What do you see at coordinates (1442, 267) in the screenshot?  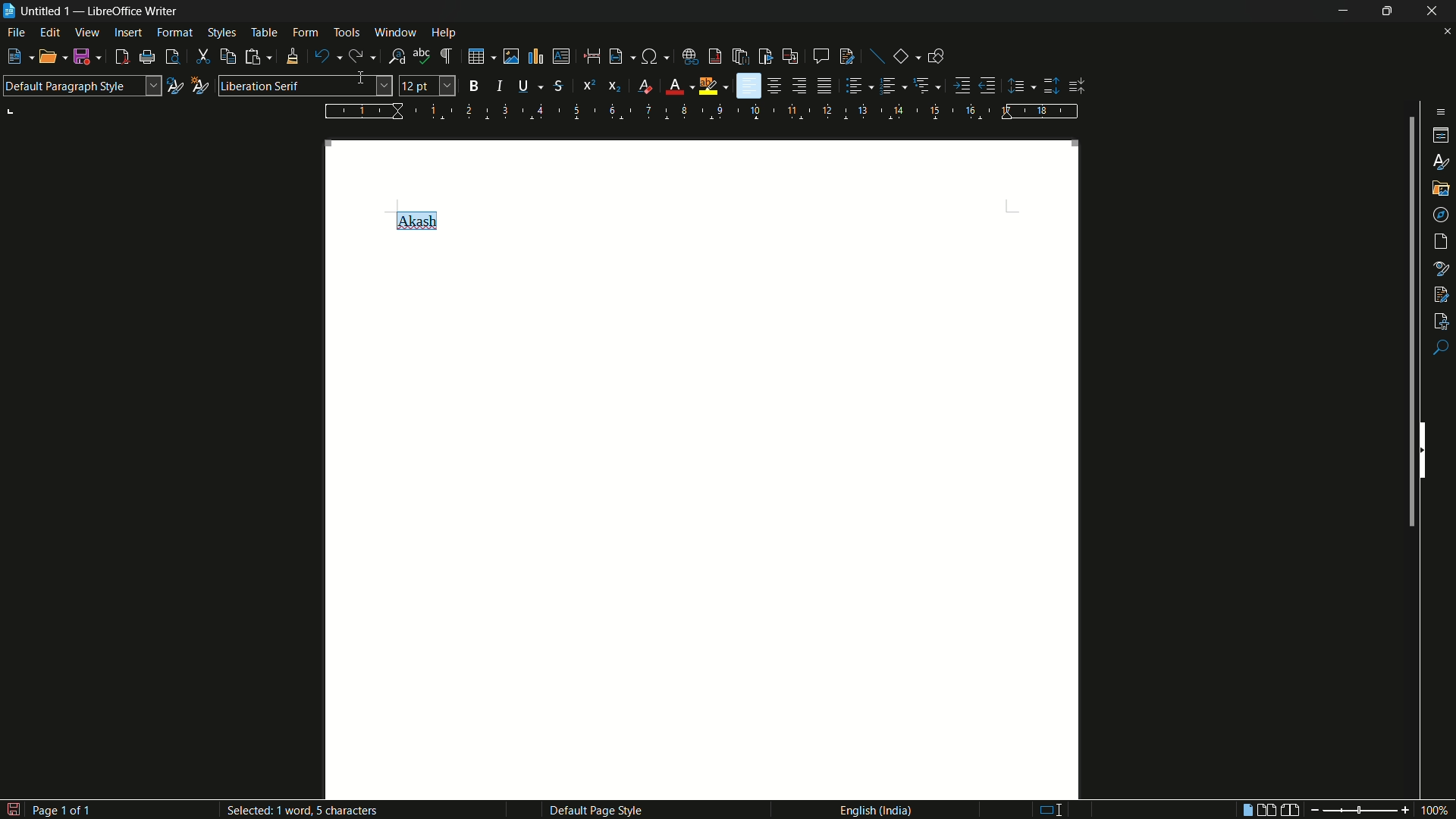 I see `style inspector` at bounding box center [1442, 267].